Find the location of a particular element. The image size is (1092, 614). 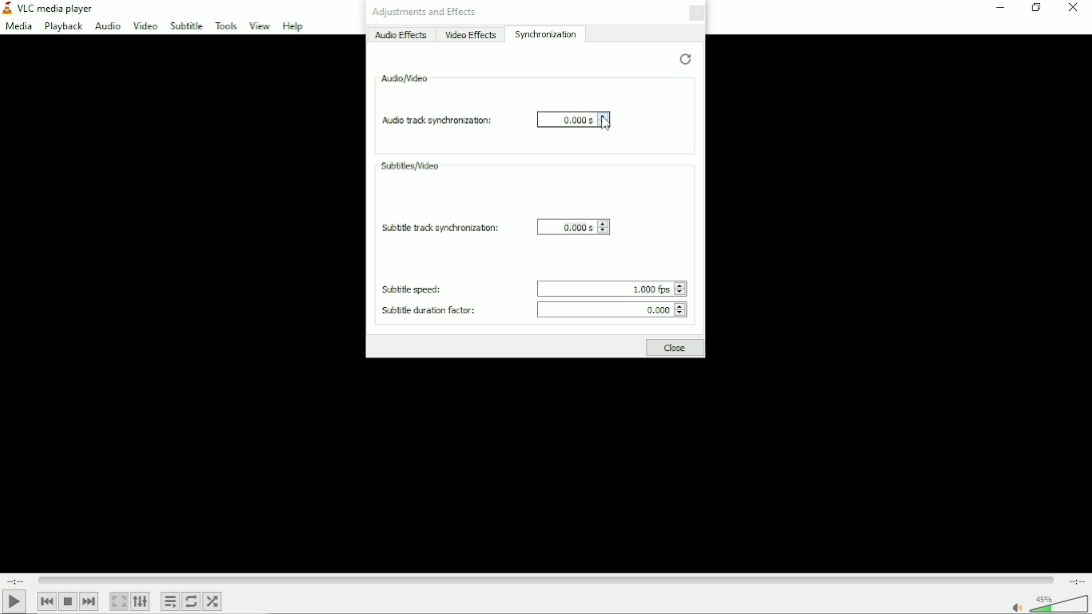

Cursor is located at coordinates (611, 125).